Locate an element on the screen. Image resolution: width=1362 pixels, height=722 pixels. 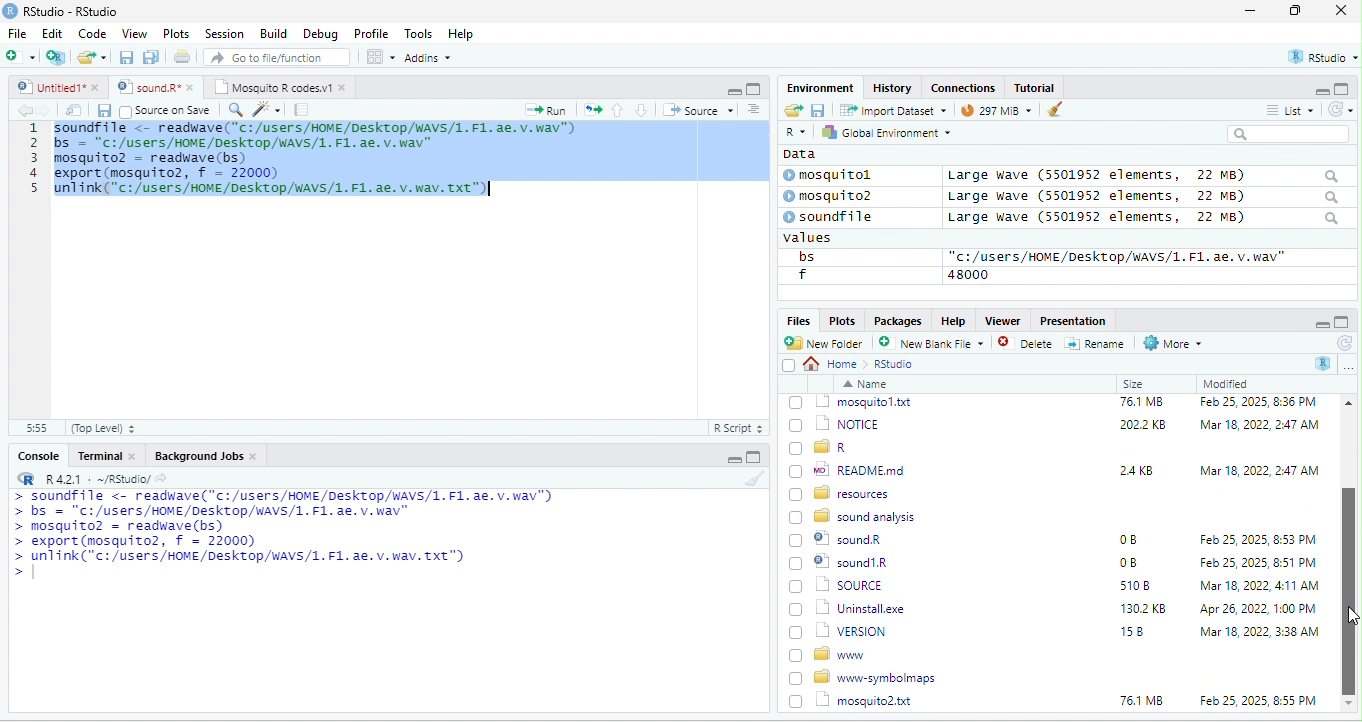
+ Source + is located at coordinates (698, 109).